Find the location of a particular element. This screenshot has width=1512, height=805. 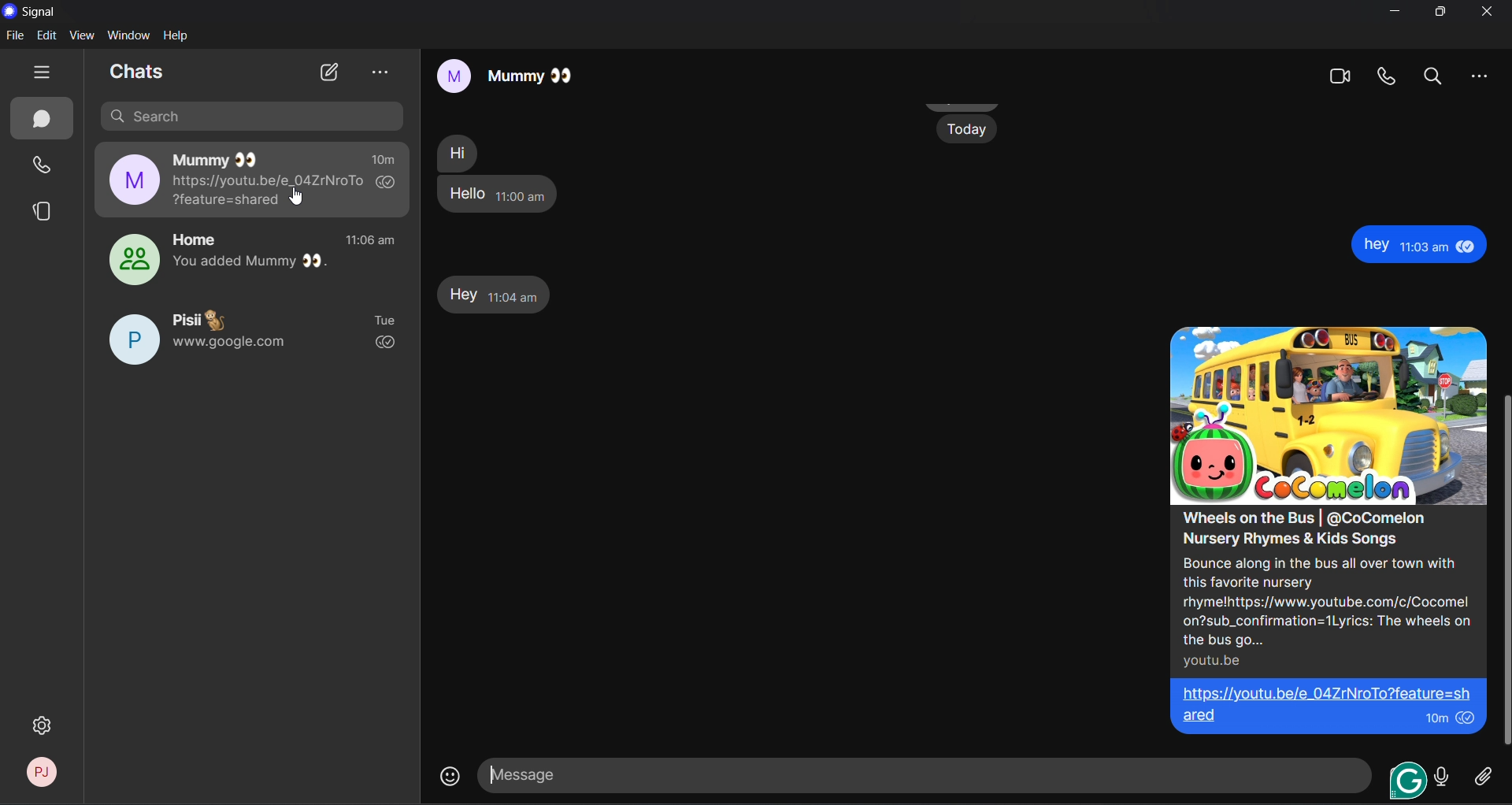

chats is located at coordinates (135, 72).